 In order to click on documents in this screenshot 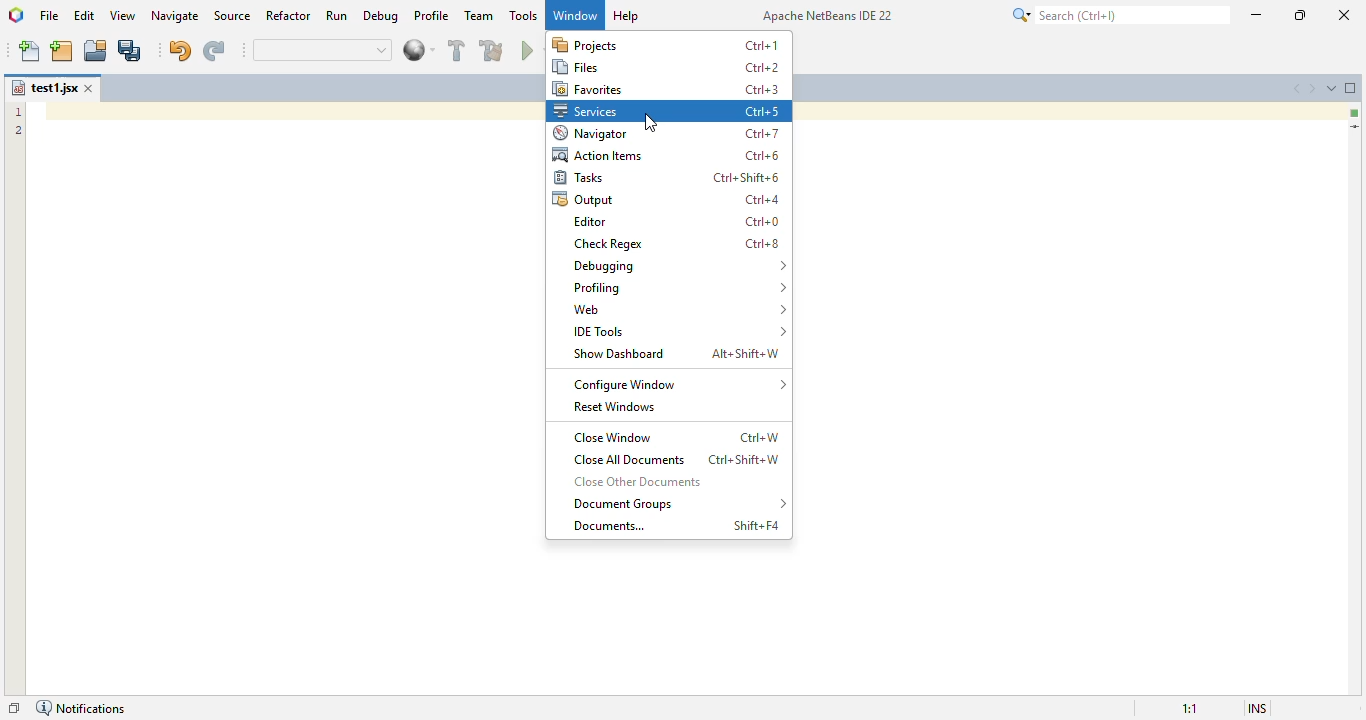, I will do `click(610, 526)`.